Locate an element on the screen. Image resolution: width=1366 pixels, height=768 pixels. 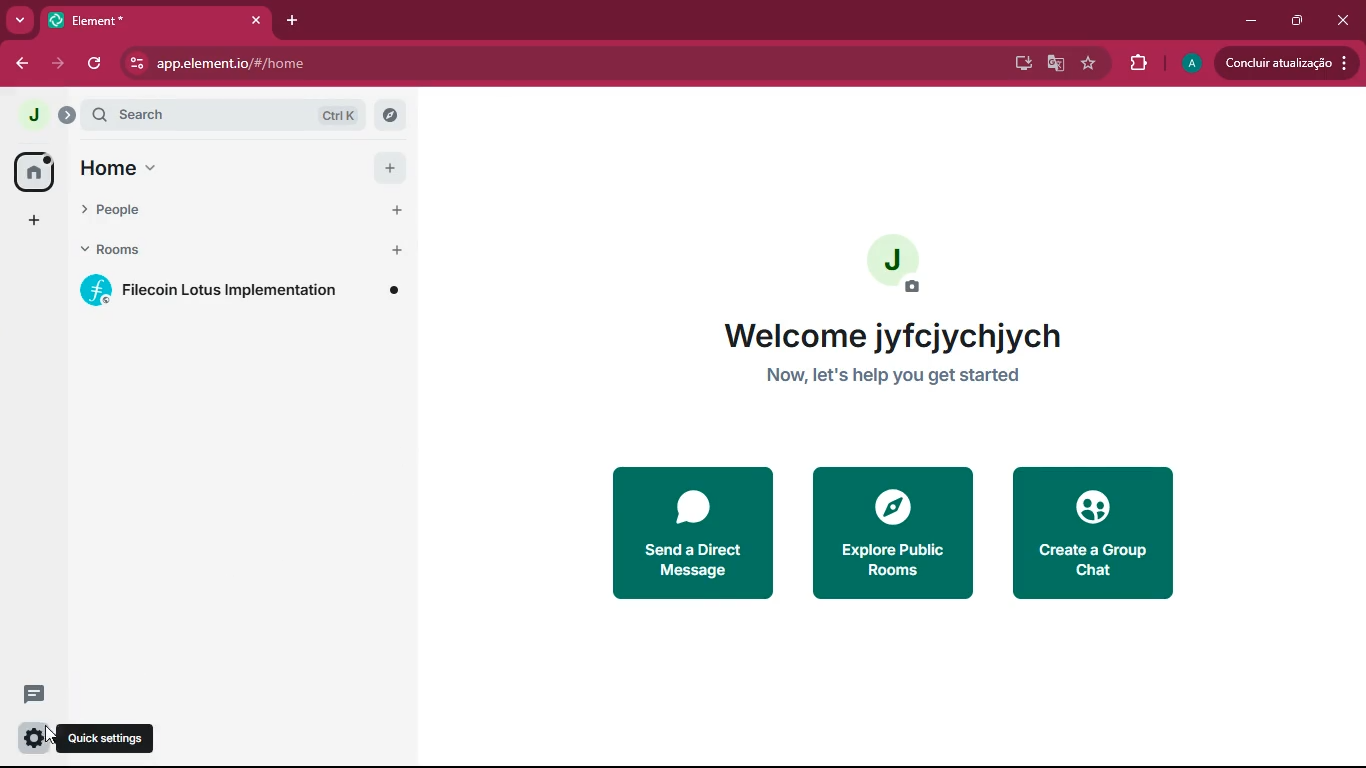
threads is located at coordinates (35, 696).